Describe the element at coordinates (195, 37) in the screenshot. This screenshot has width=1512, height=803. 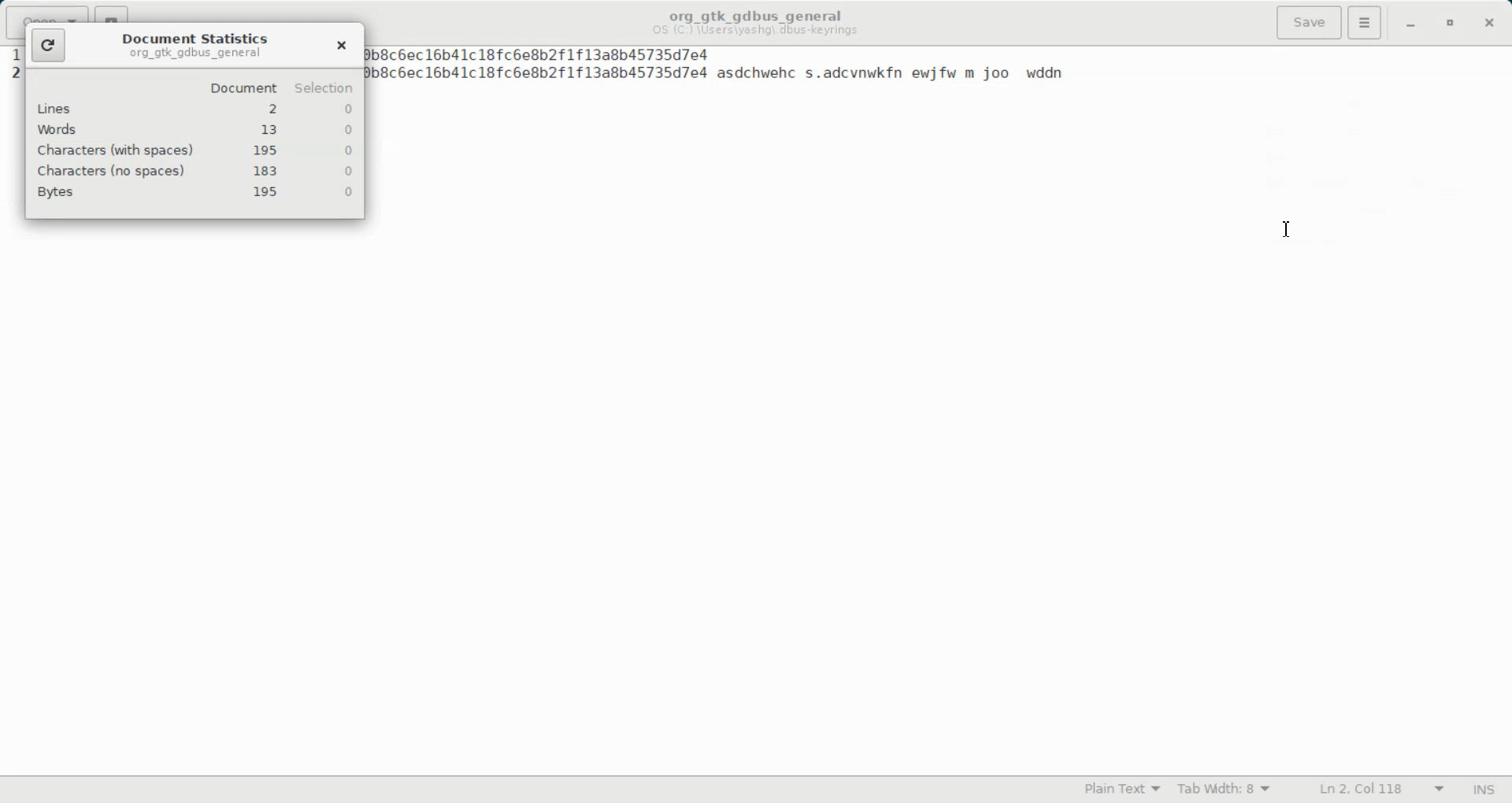
I see `Document Statistics` at that location.